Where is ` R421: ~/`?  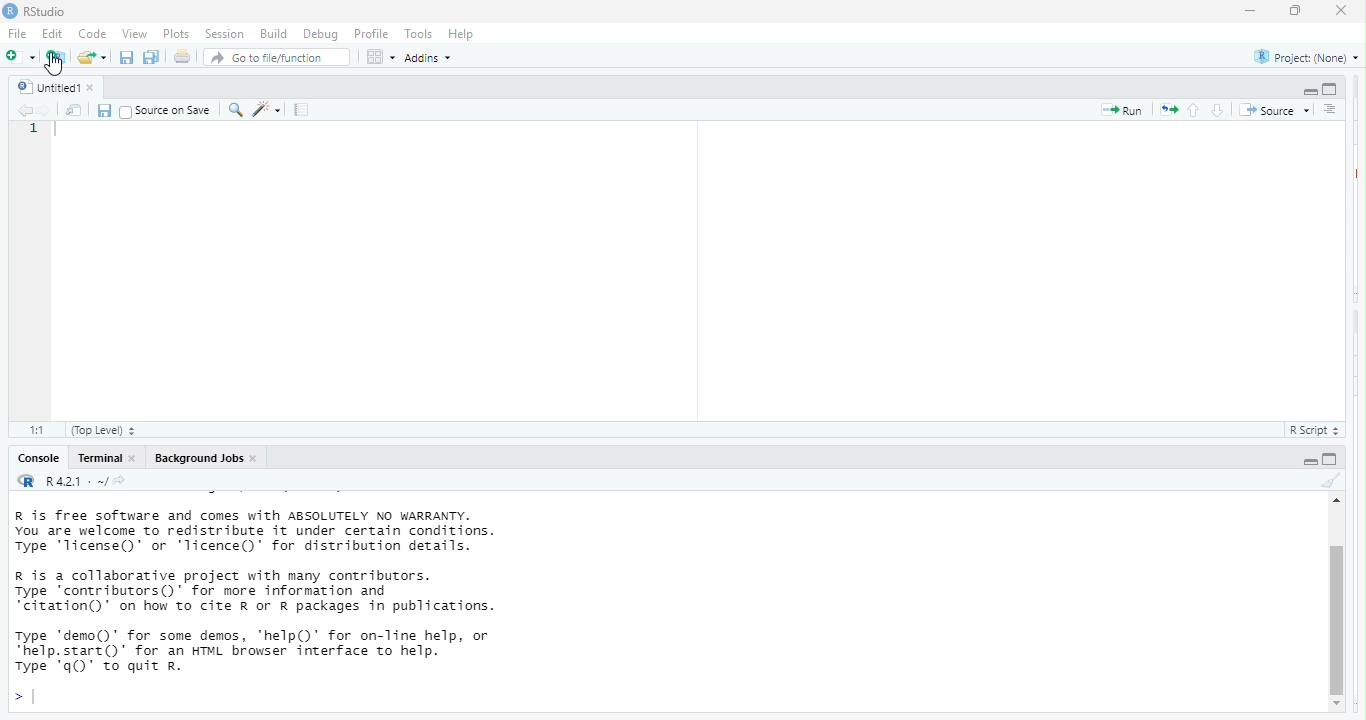  R421: ~/ is located at coordinates (96, 481).